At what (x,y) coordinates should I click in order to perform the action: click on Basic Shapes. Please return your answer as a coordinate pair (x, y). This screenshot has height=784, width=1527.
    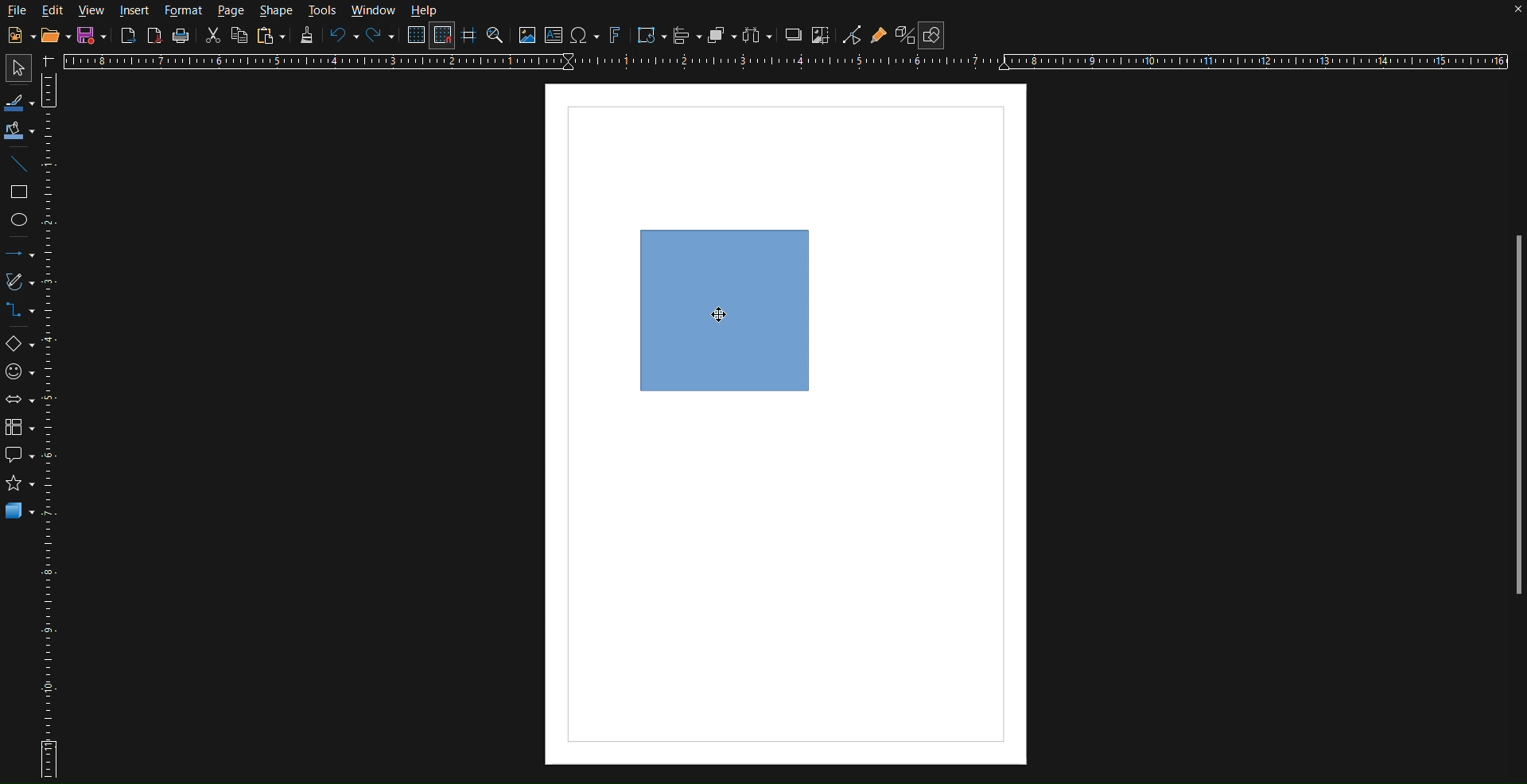
    Looking at the image, I should click on (18, 343).